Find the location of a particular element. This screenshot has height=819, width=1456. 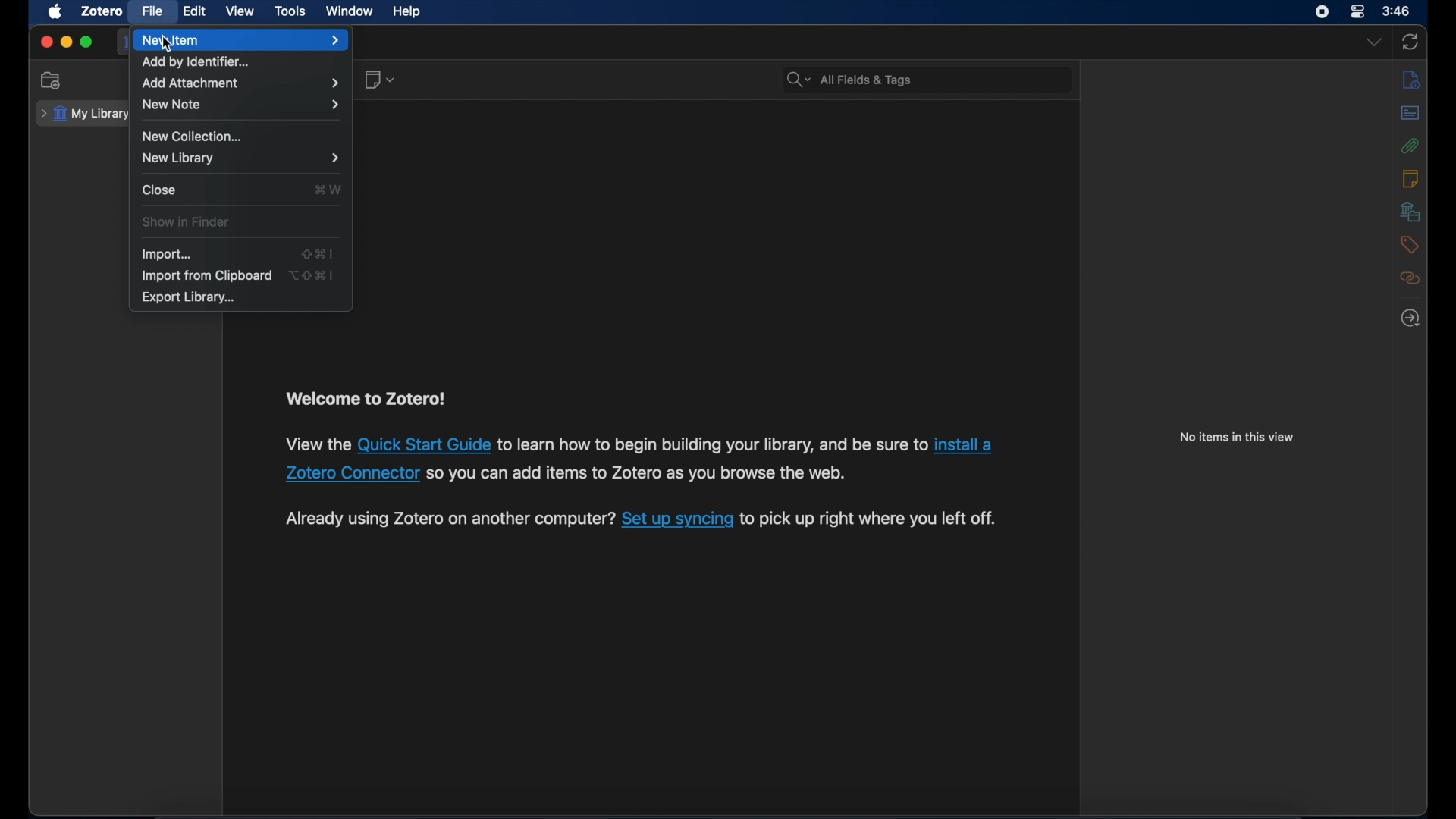

search bar is located at coordinates (850, 80).